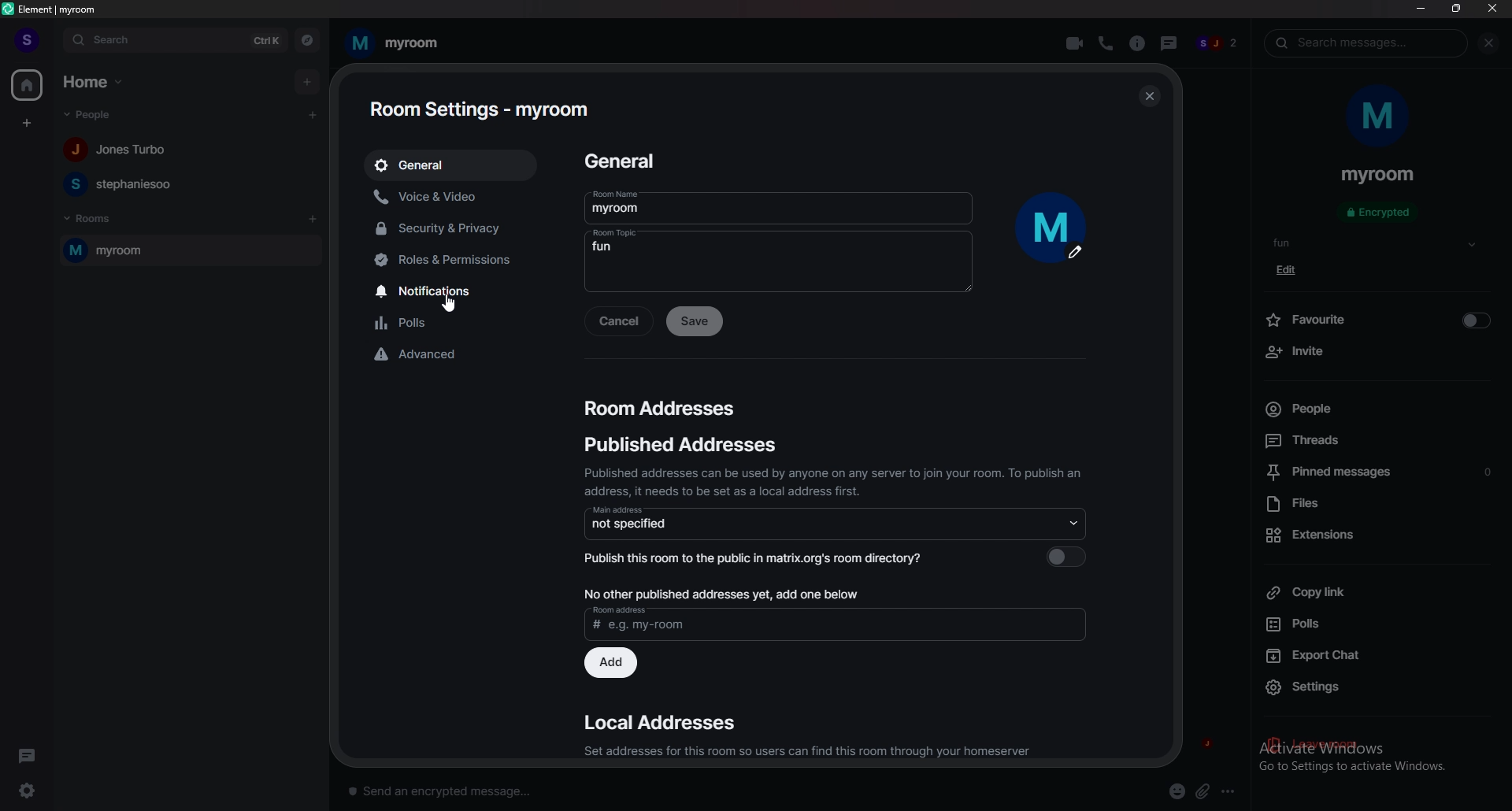 Image resolution: width=1512 pixels, height=811 pixels. I want to click on room addresses, so click(661, 408).